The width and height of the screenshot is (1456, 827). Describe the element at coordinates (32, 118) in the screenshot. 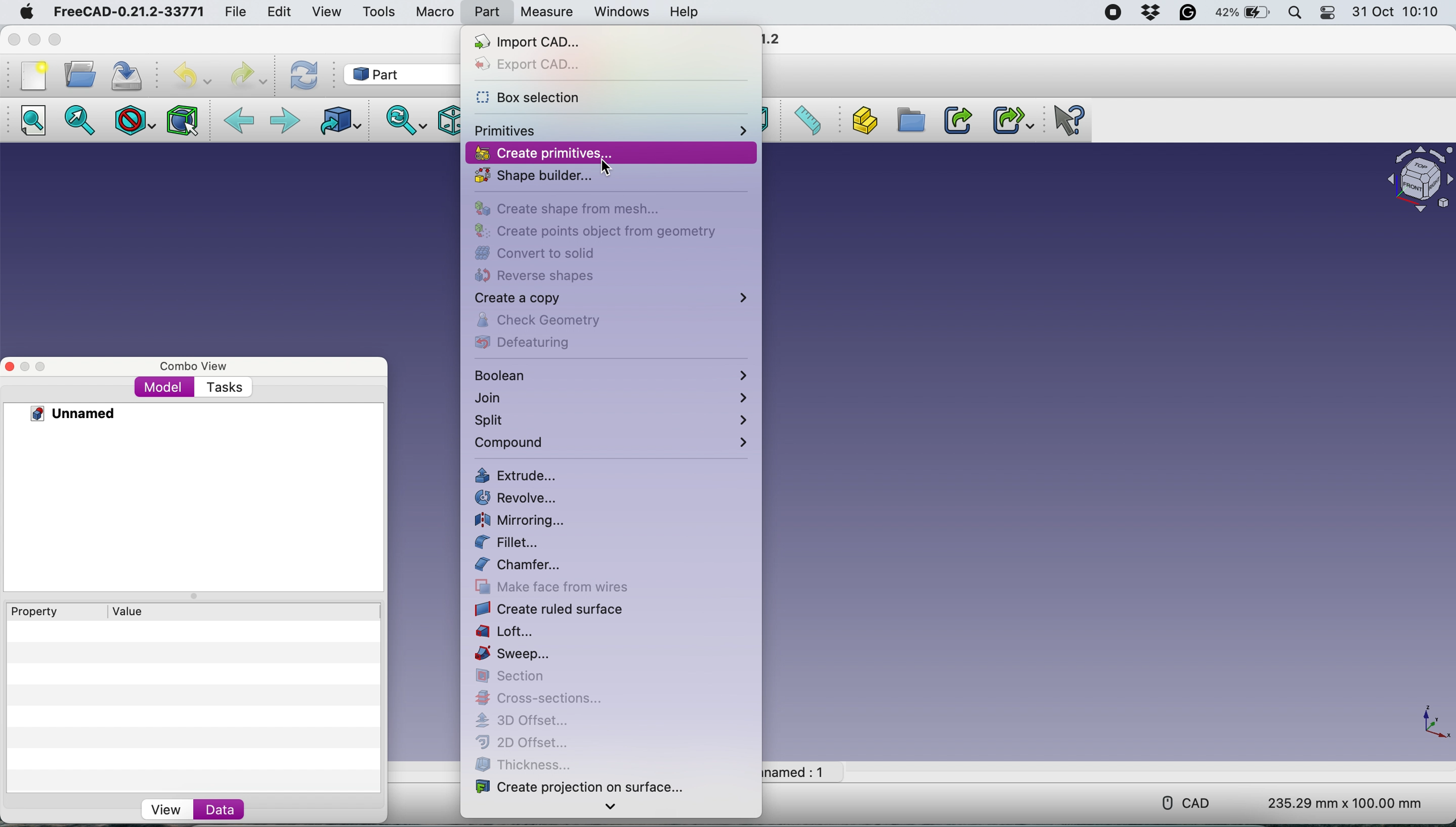

I see `Fit all` at that location.